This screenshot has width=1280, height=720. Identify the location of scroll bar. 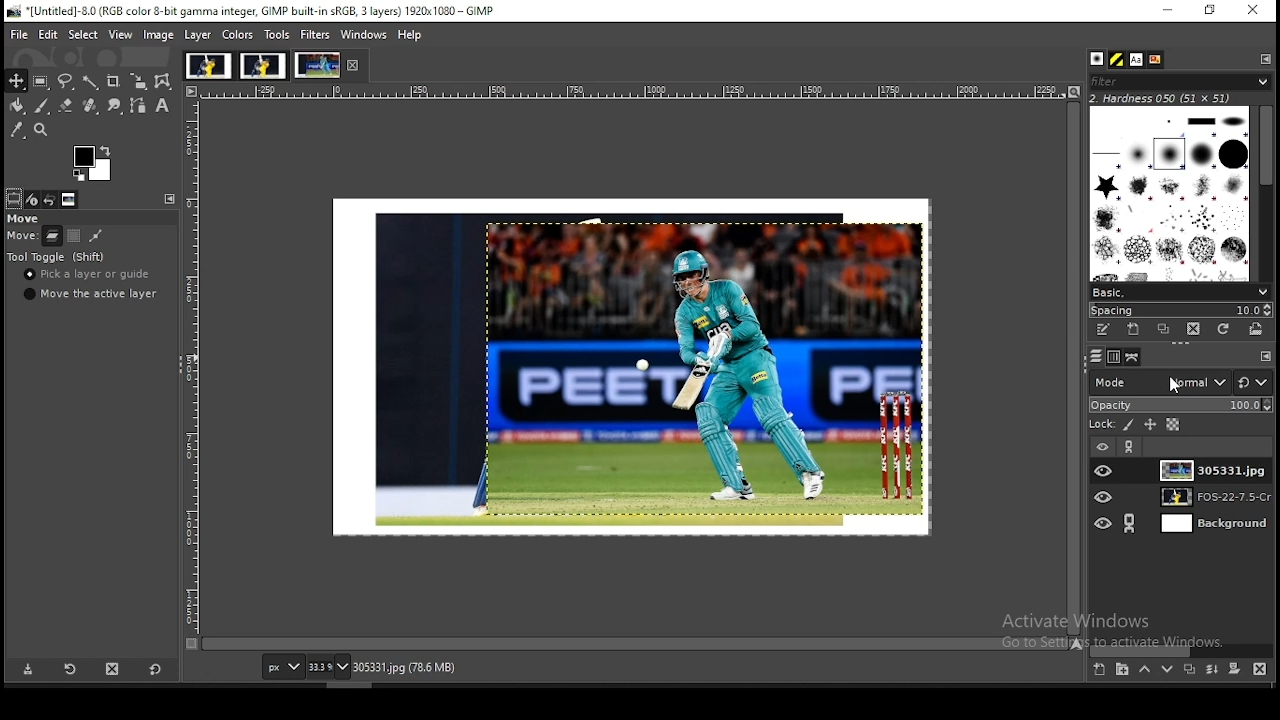
(1183, 651).